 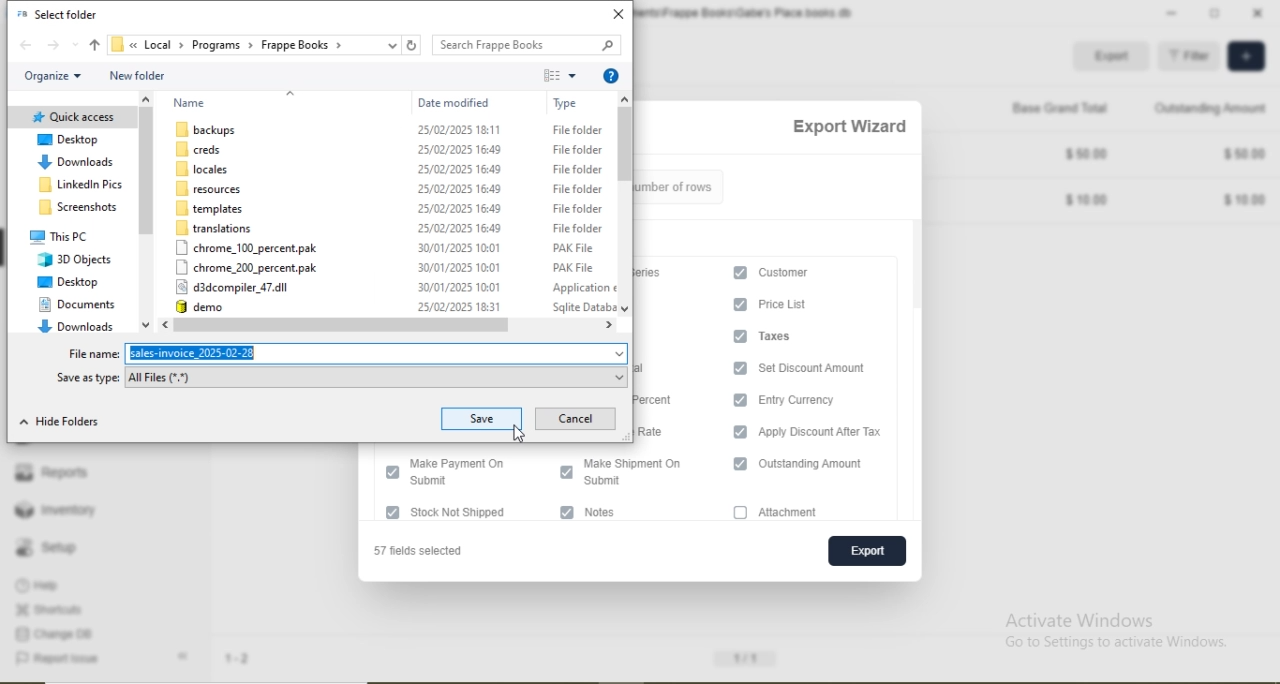 What do you see at coordinates (211, 188) in the screenshot?
I see `` at bounding box center [211, 188].